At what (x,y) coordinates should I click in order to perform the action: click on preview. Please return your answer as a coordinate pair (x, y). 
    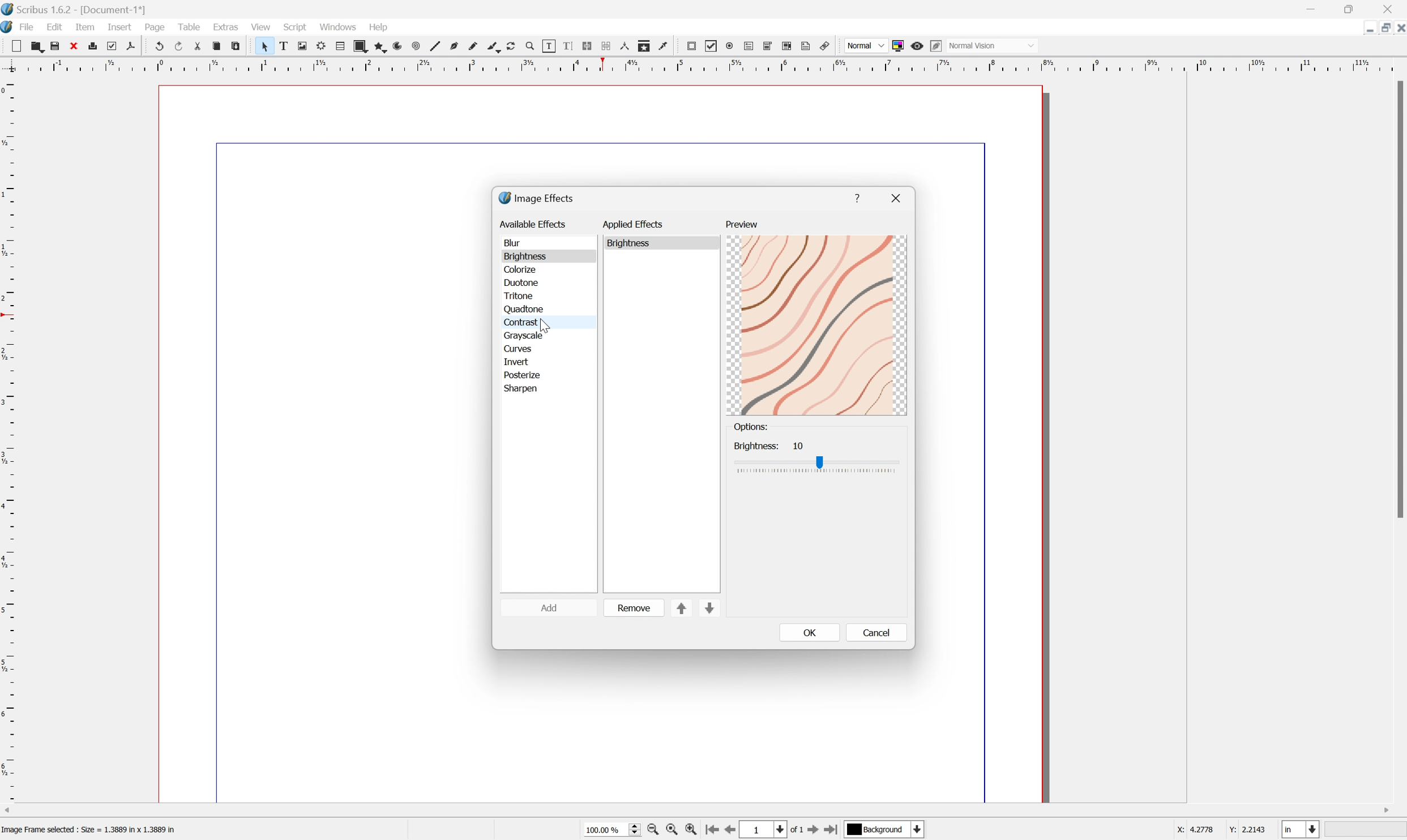
    Looking at the image, I should click on (742, 226).